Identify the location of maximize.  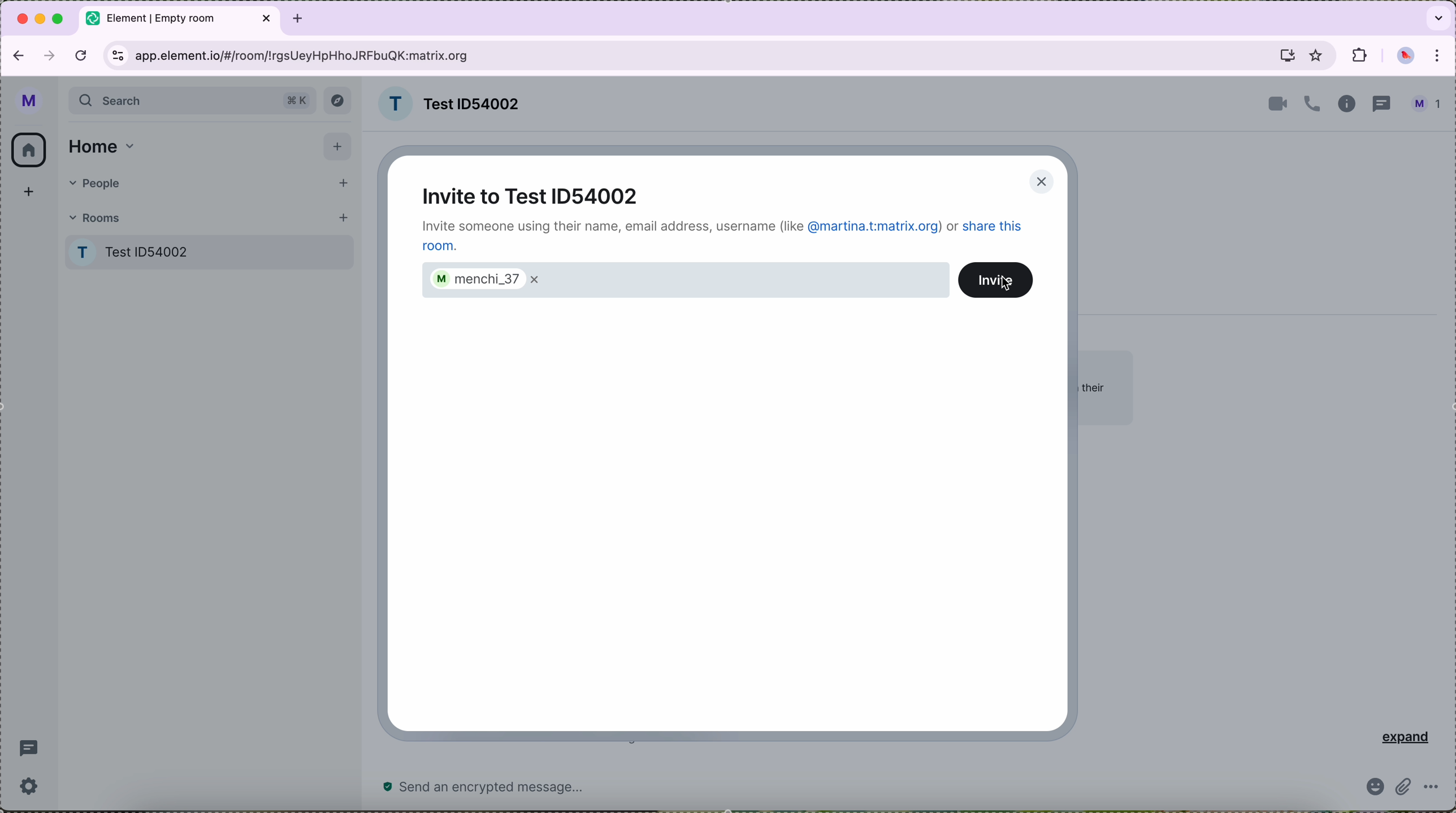
(61, 20).